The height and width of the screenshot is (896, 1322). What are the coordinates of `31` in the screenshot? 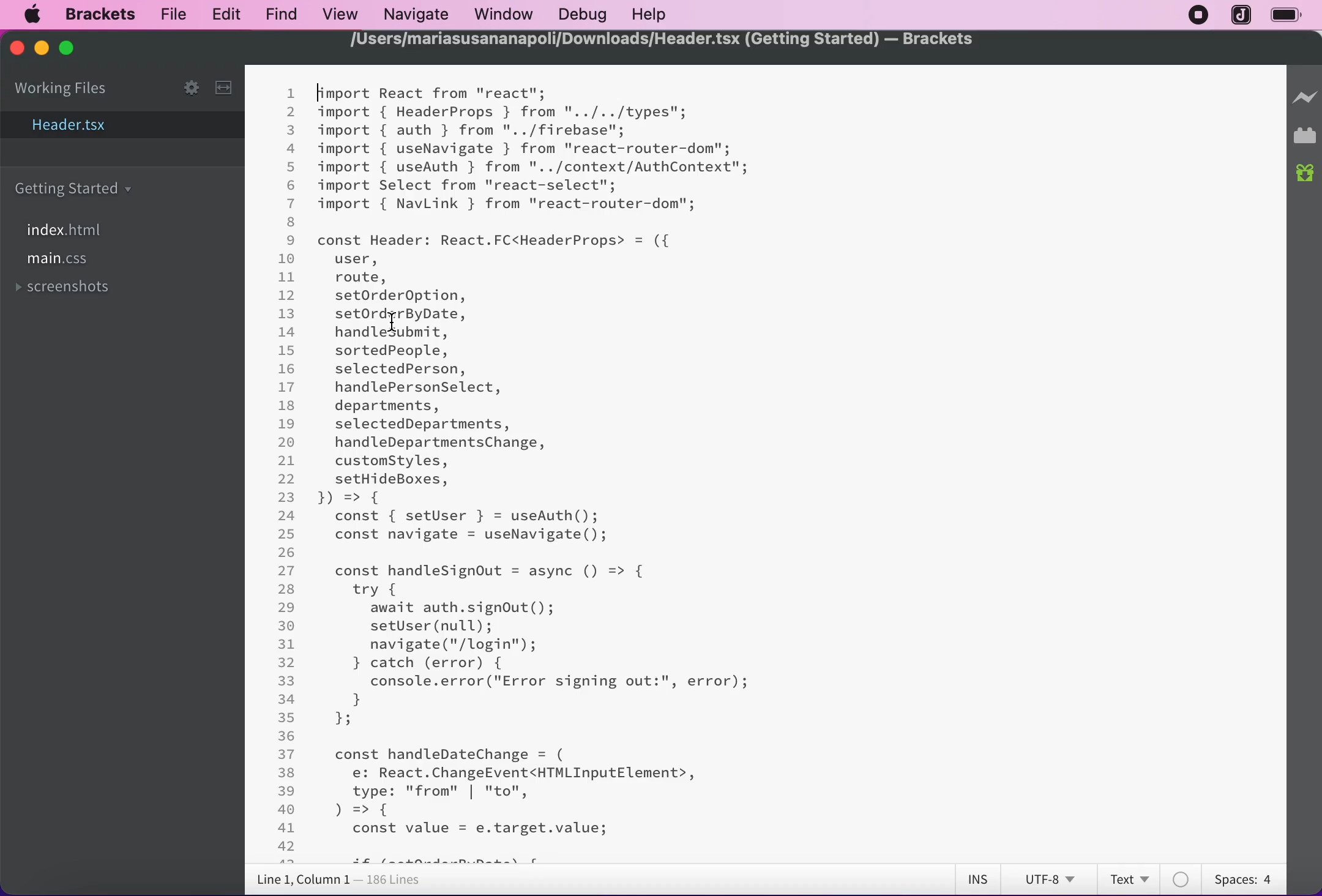 It's located at (286, 644).